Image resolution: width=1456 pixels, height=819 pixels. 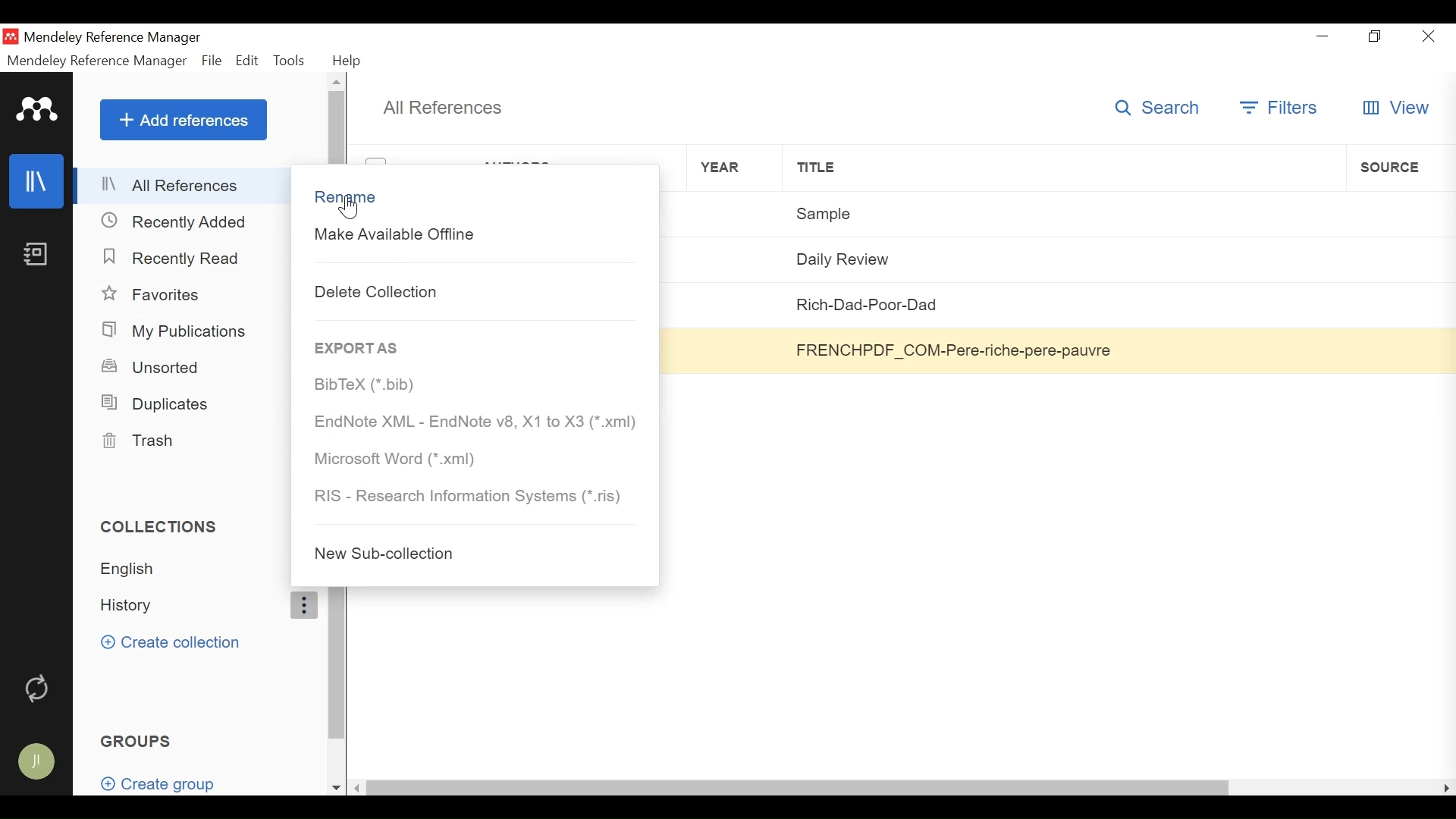 What do you see at coordinates (154, 295) in the screenshot?
I see `Favorites` at bounding box center [154, 295].